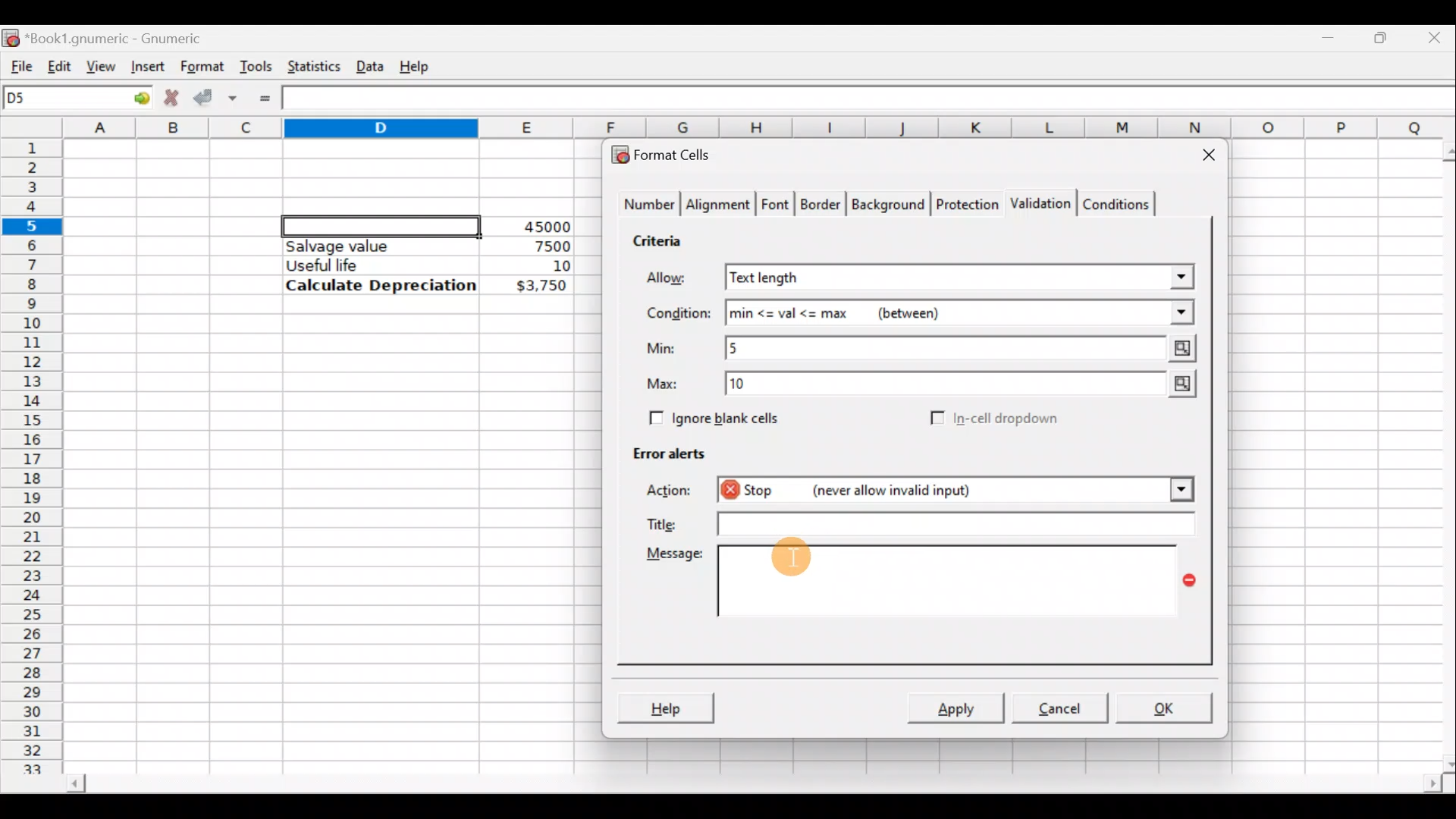 The height and width of the screenshot is (819, 1456). Describe the element at coordinates (541, 227) in the screenshot. I see `45000` at that location.